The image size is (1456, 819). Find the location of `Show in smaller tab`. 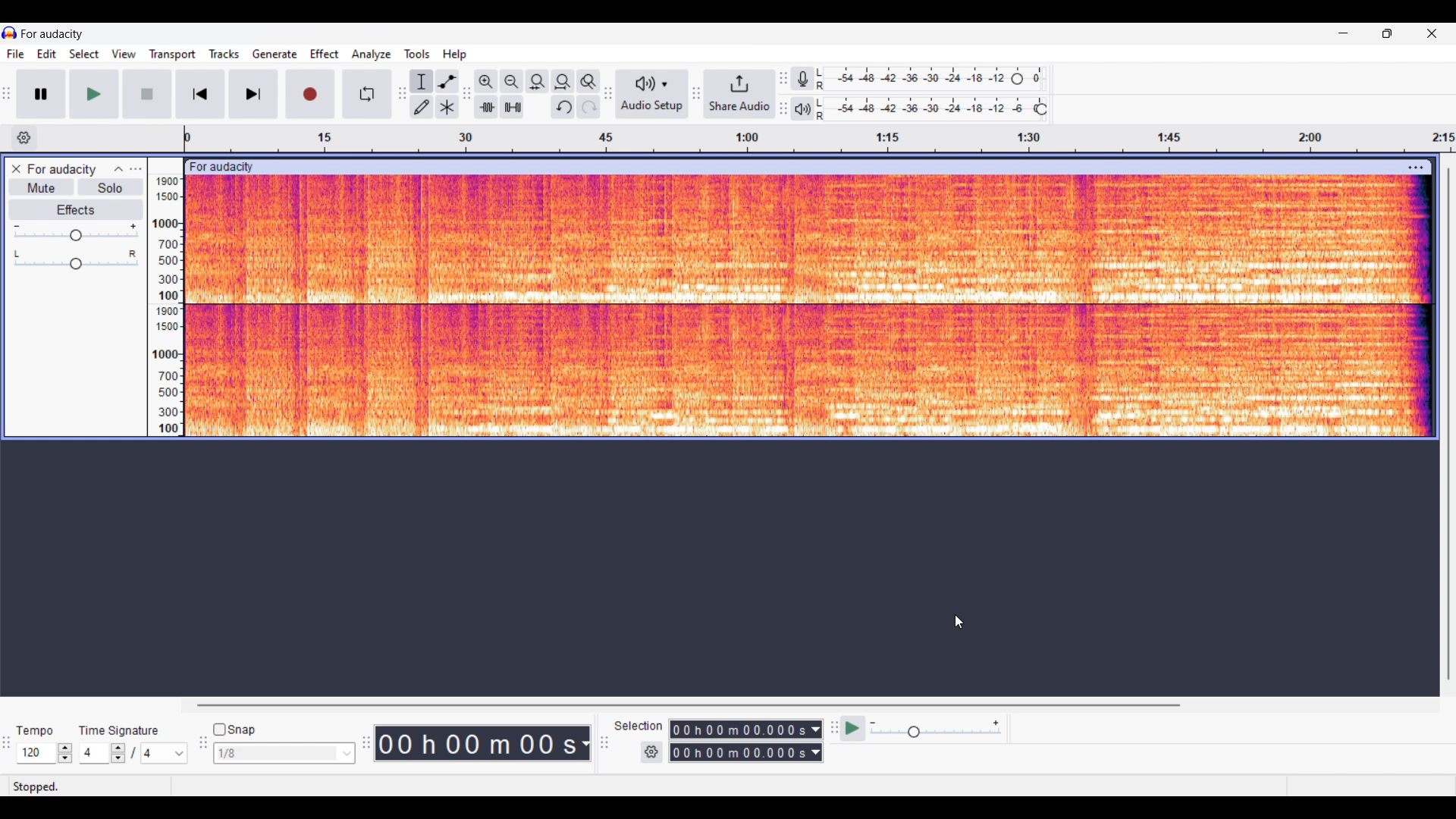

Show in smaller tab is located at coordinates (1387, 33).